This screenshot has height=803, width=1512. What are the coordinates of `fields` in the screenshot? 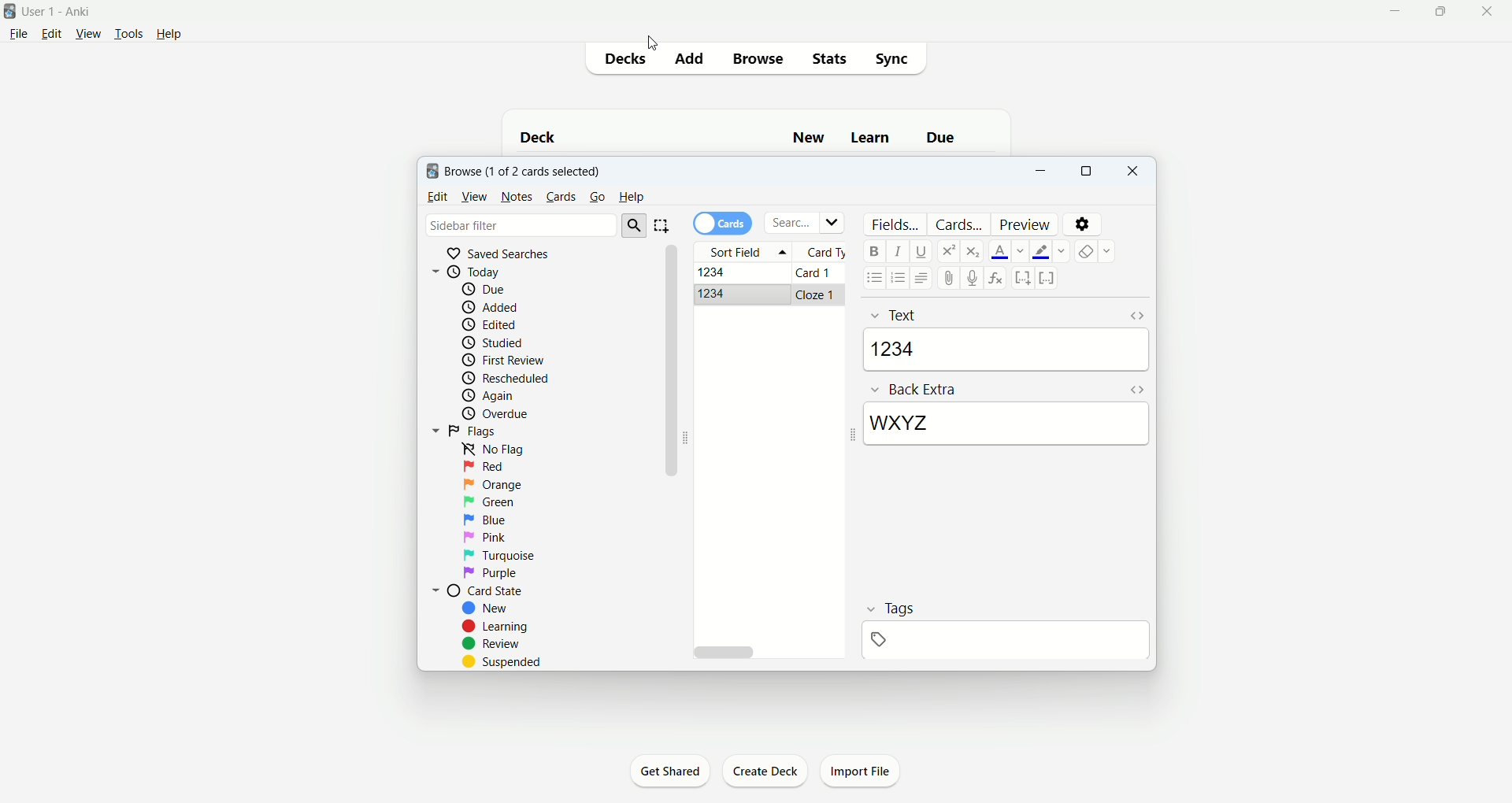 It's located at (895, 224).